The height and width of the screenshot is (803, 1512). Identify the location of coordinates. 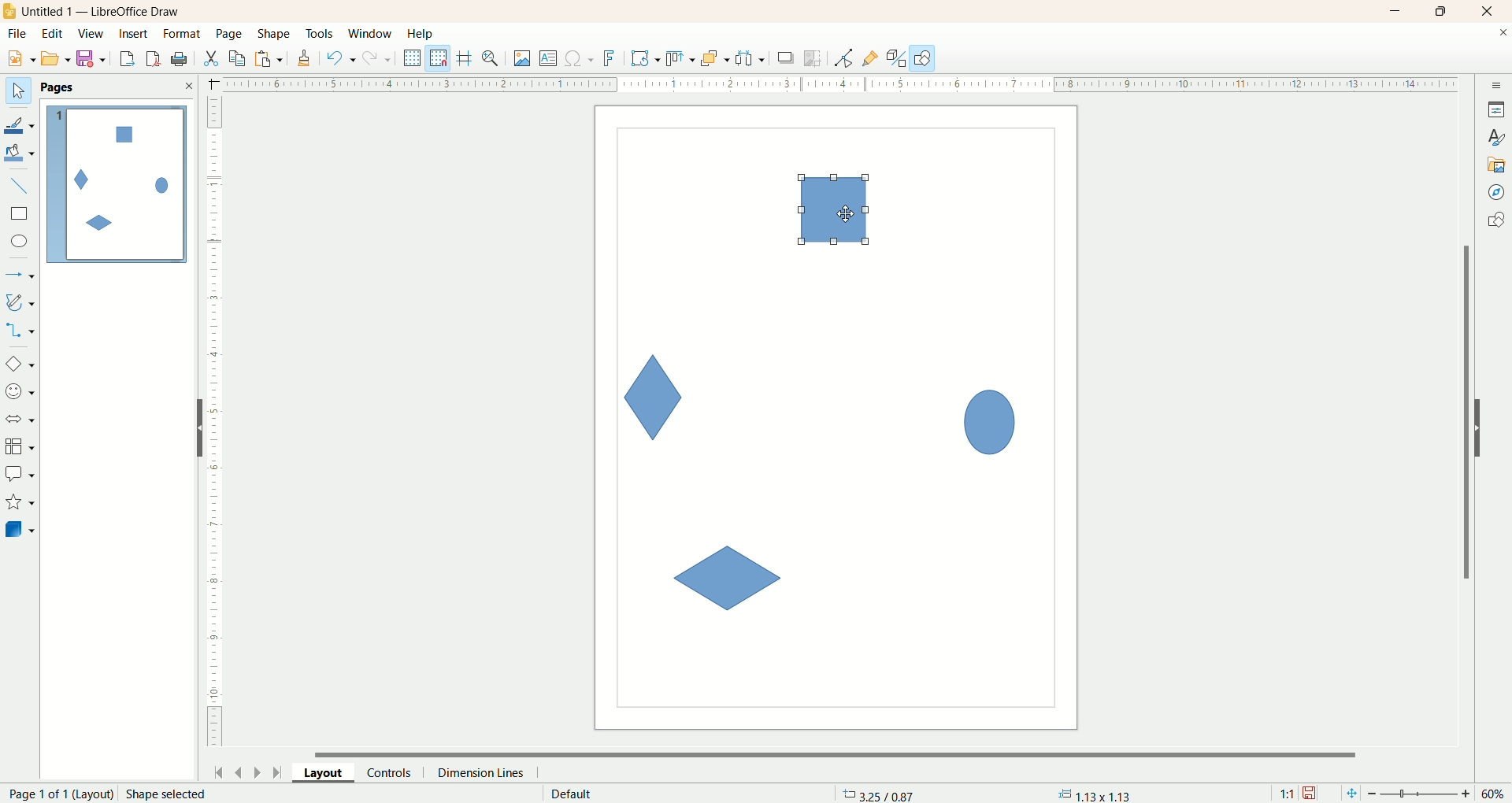
(880, 794).